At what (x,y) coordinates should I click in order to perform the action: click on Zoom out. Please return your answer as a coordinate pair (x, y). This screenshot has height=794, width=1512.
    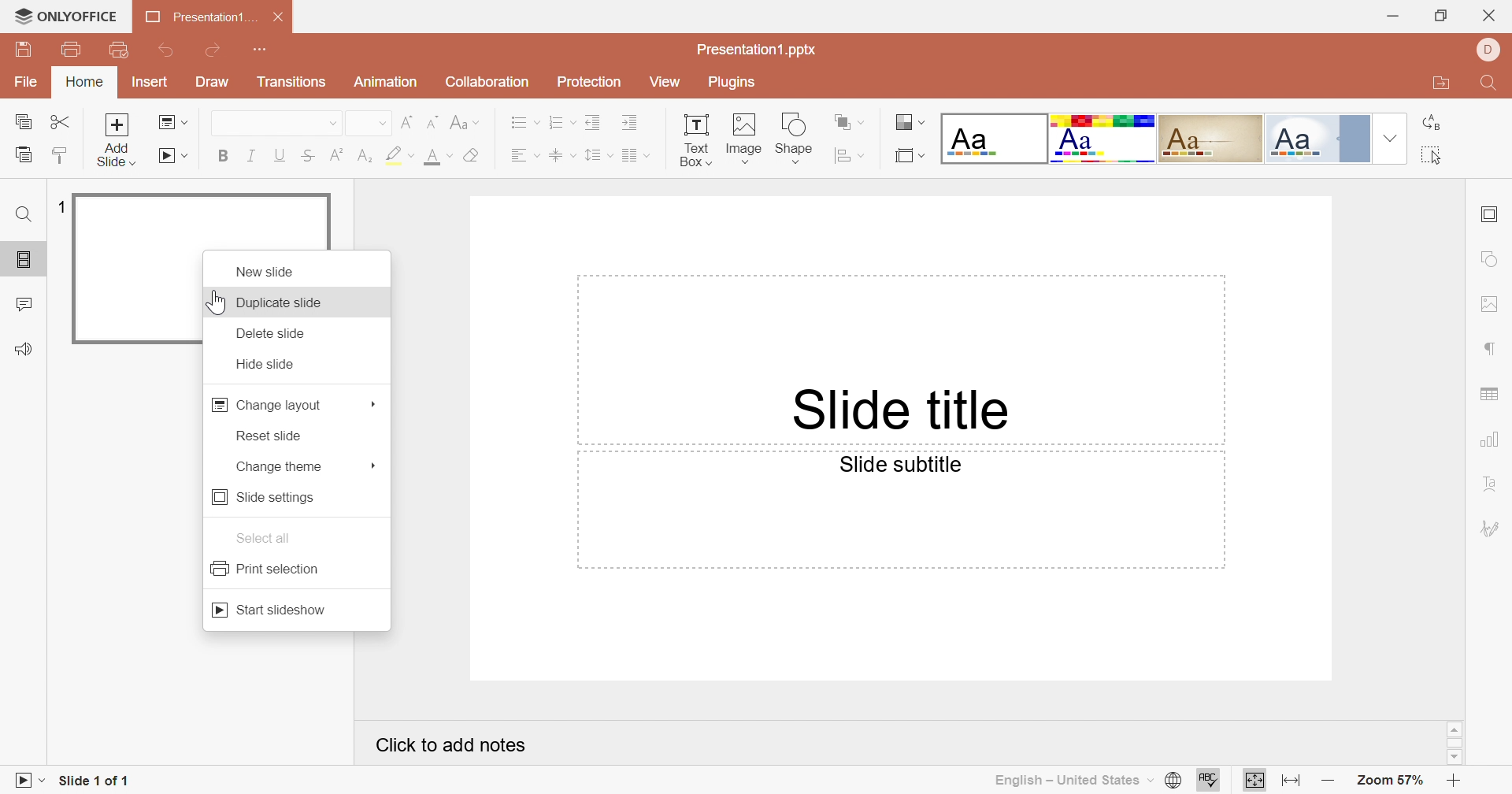
    Looking at the image, I should click on (1329, 777).